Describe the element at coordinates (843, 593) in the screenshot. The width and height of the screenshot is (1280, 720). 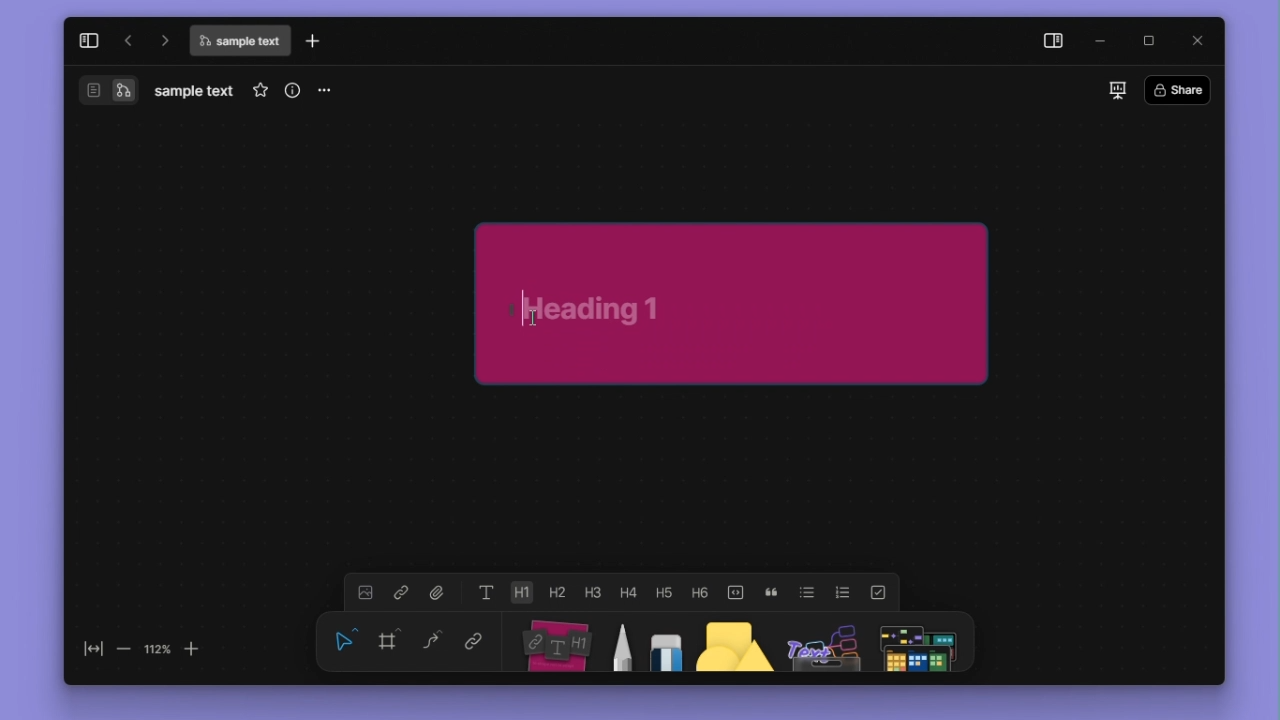
I see `numbered list` at that location.